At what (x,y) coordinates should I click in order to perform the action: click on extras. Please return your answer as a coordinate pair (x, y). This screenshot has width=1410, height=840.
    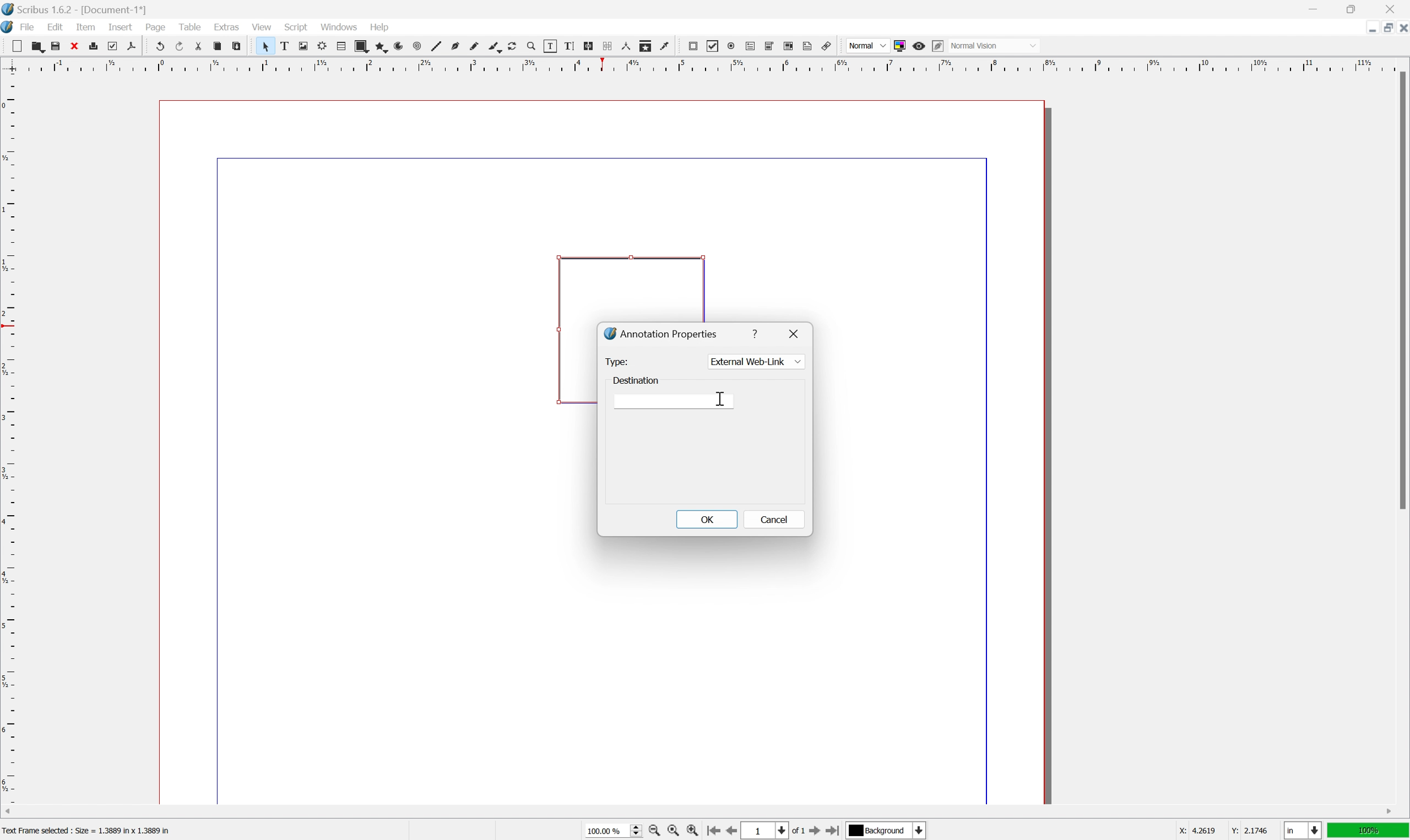
    Looking at the image, I should click on (227, 26).